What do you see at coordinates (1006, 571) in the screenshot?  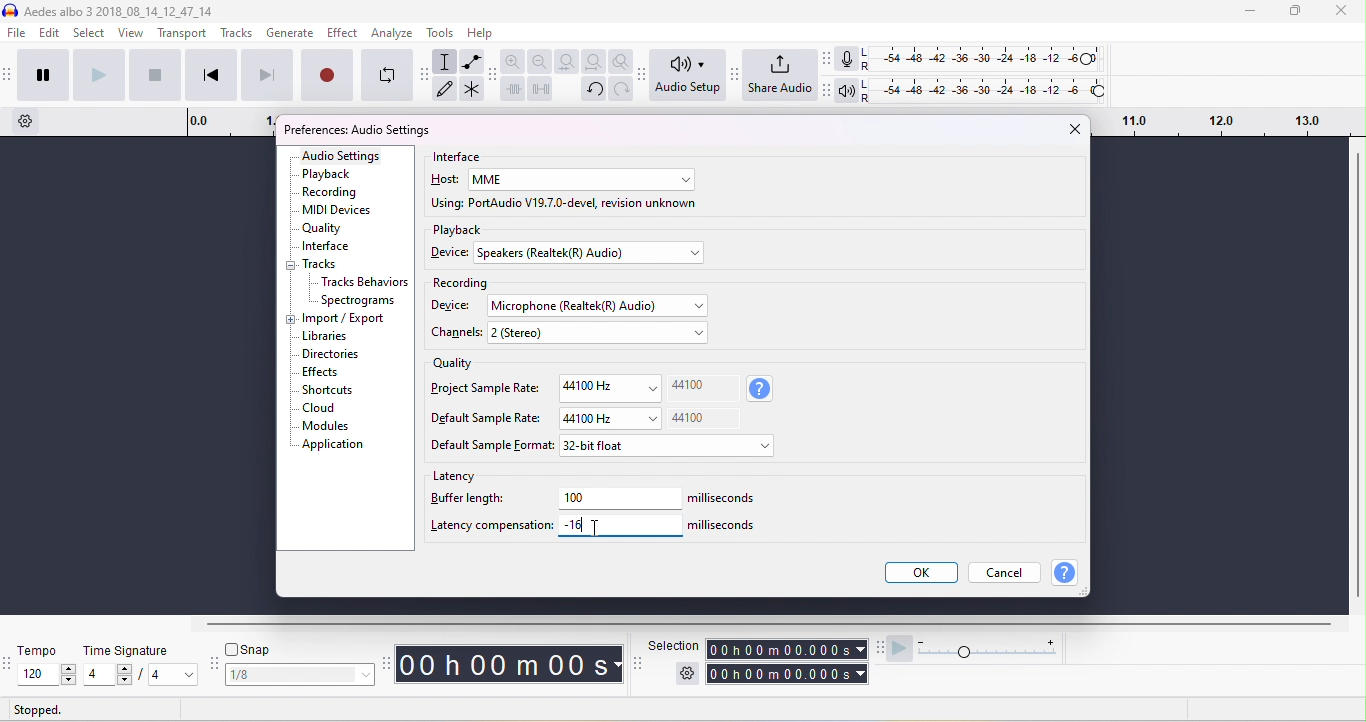 I see `cancel` at bounding box center [1006, 571].